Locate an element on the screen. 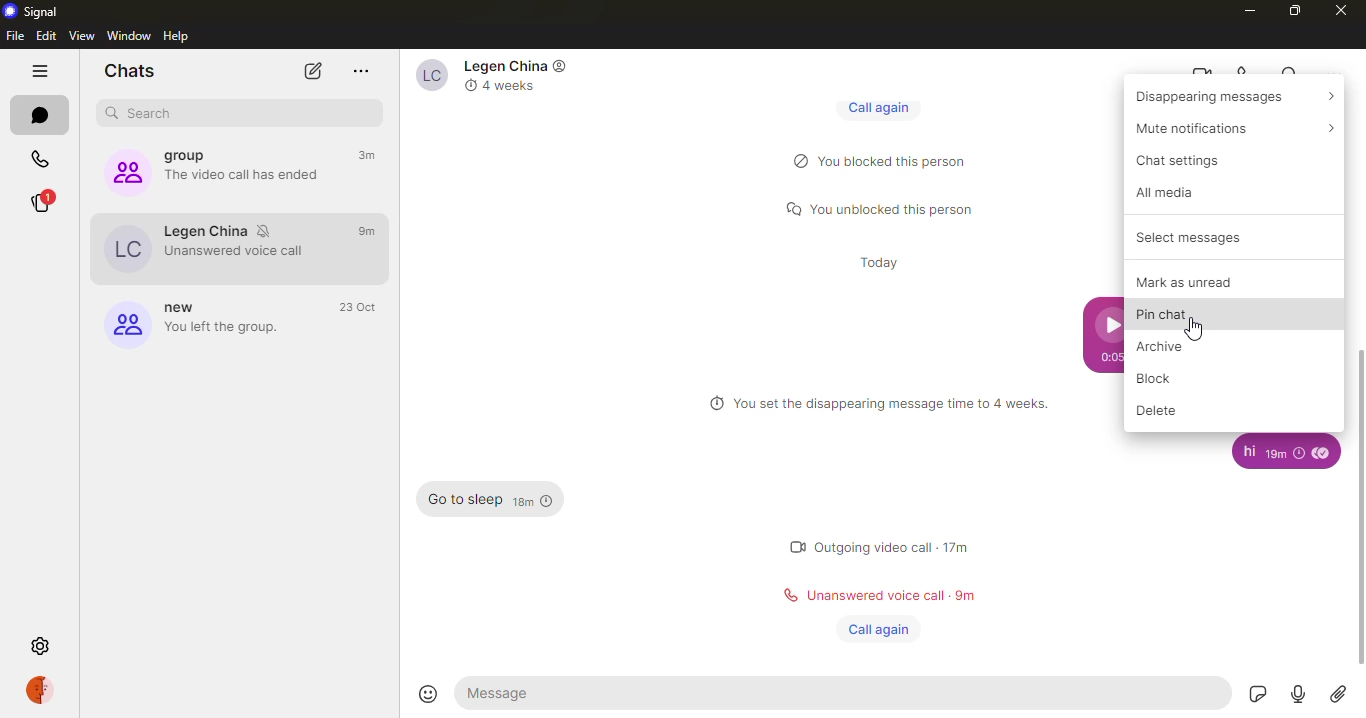  pin chat is located at coordinates (1171, 316).